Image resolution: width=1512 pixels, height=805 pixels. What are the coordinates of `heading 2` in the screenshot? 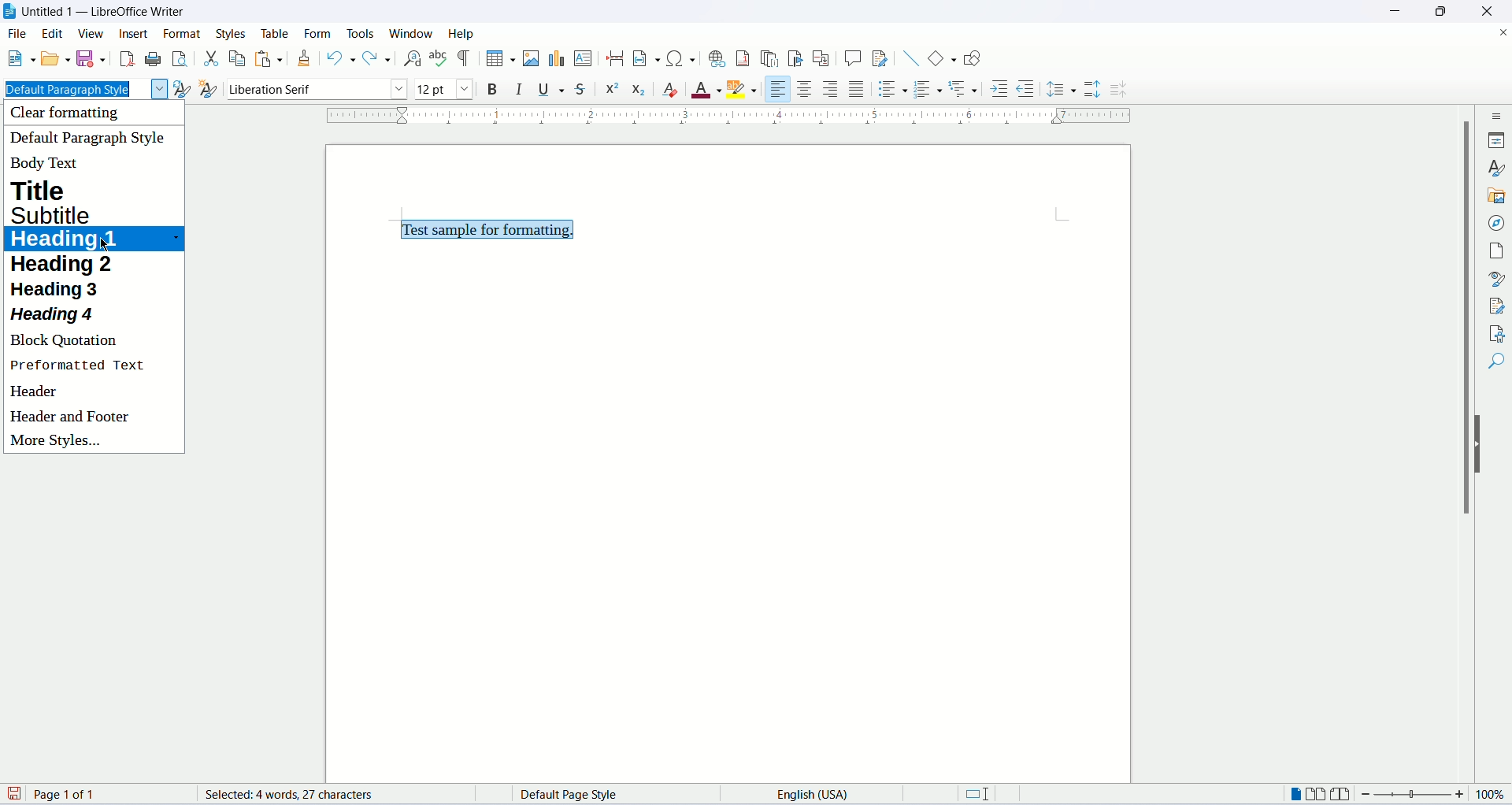 It's located at (65, 265).